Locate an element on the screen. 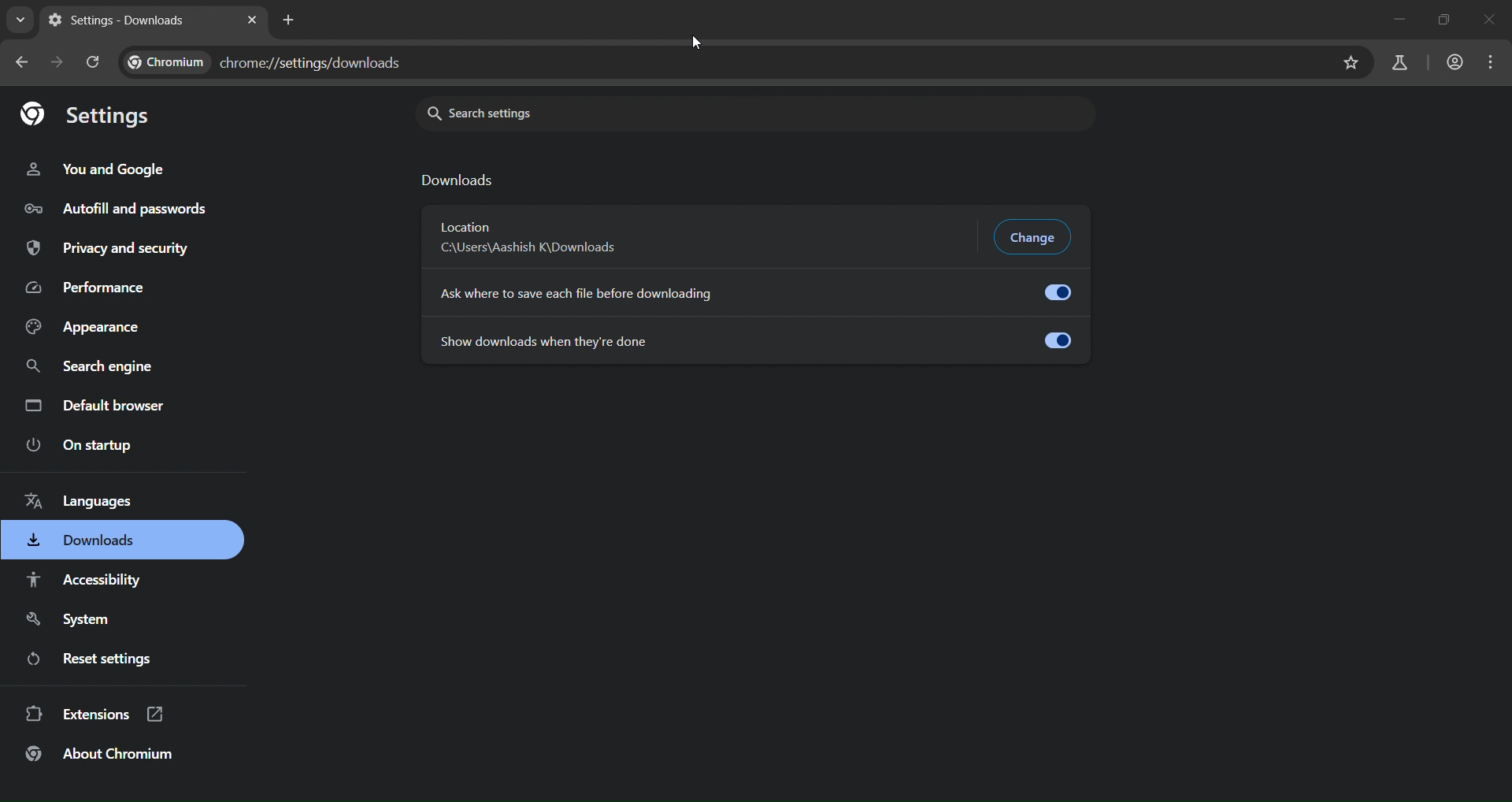 This screenshot has height=802, width=1512. search tabs is located at coordinates (19, 22).